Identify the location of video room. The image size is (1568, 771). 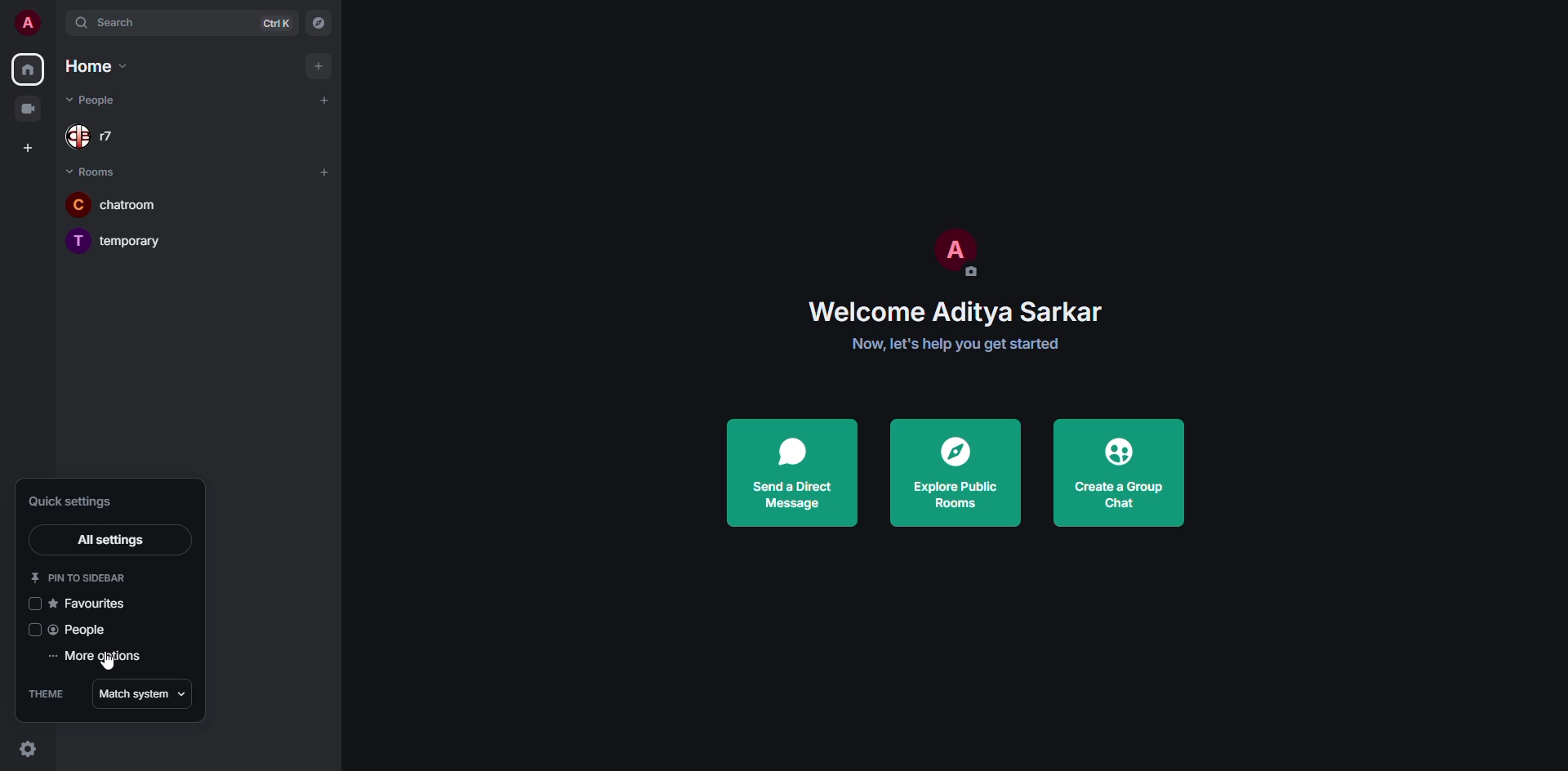
(29, 109).